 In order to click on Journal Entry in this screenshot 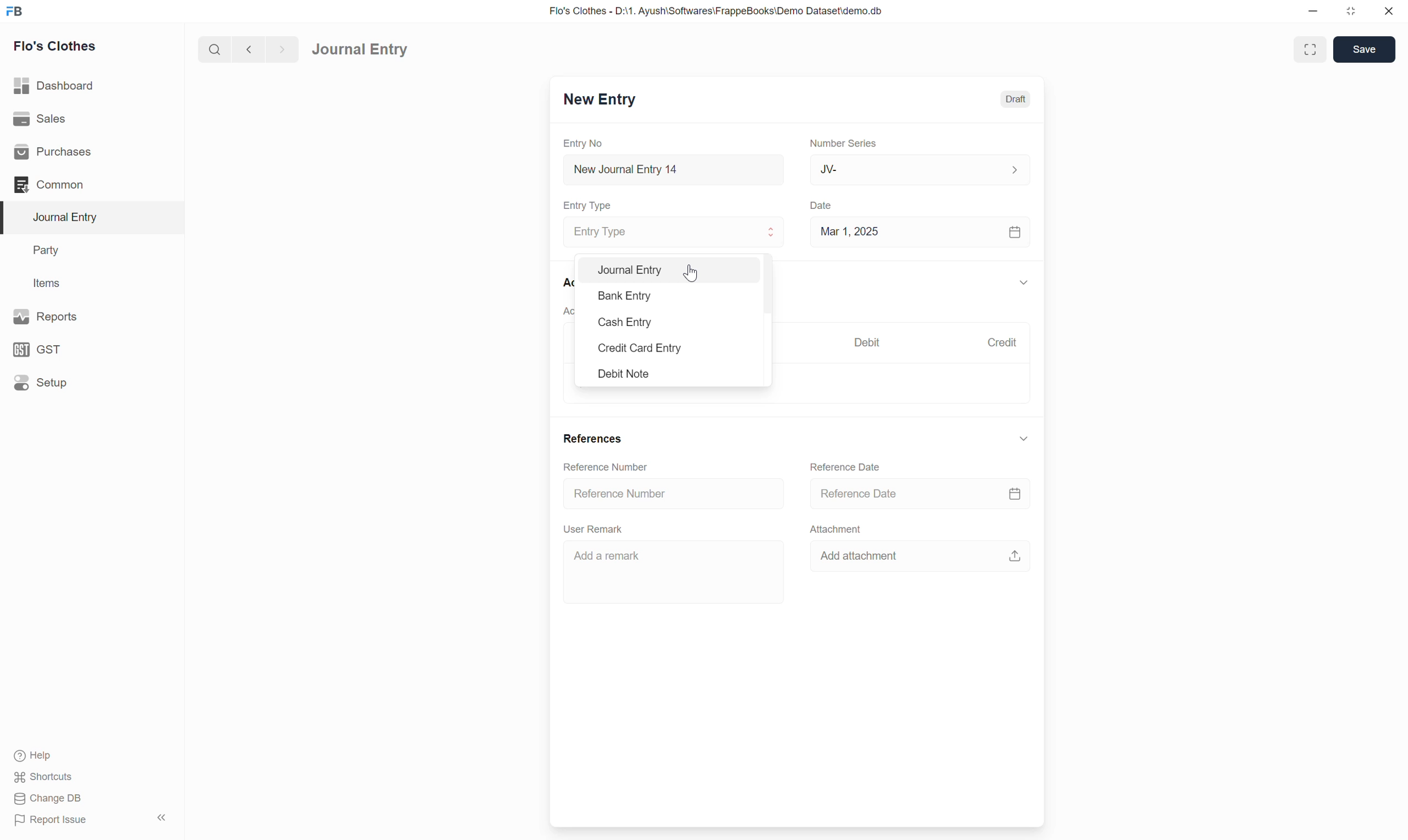, I will do `click(629, 270)`.